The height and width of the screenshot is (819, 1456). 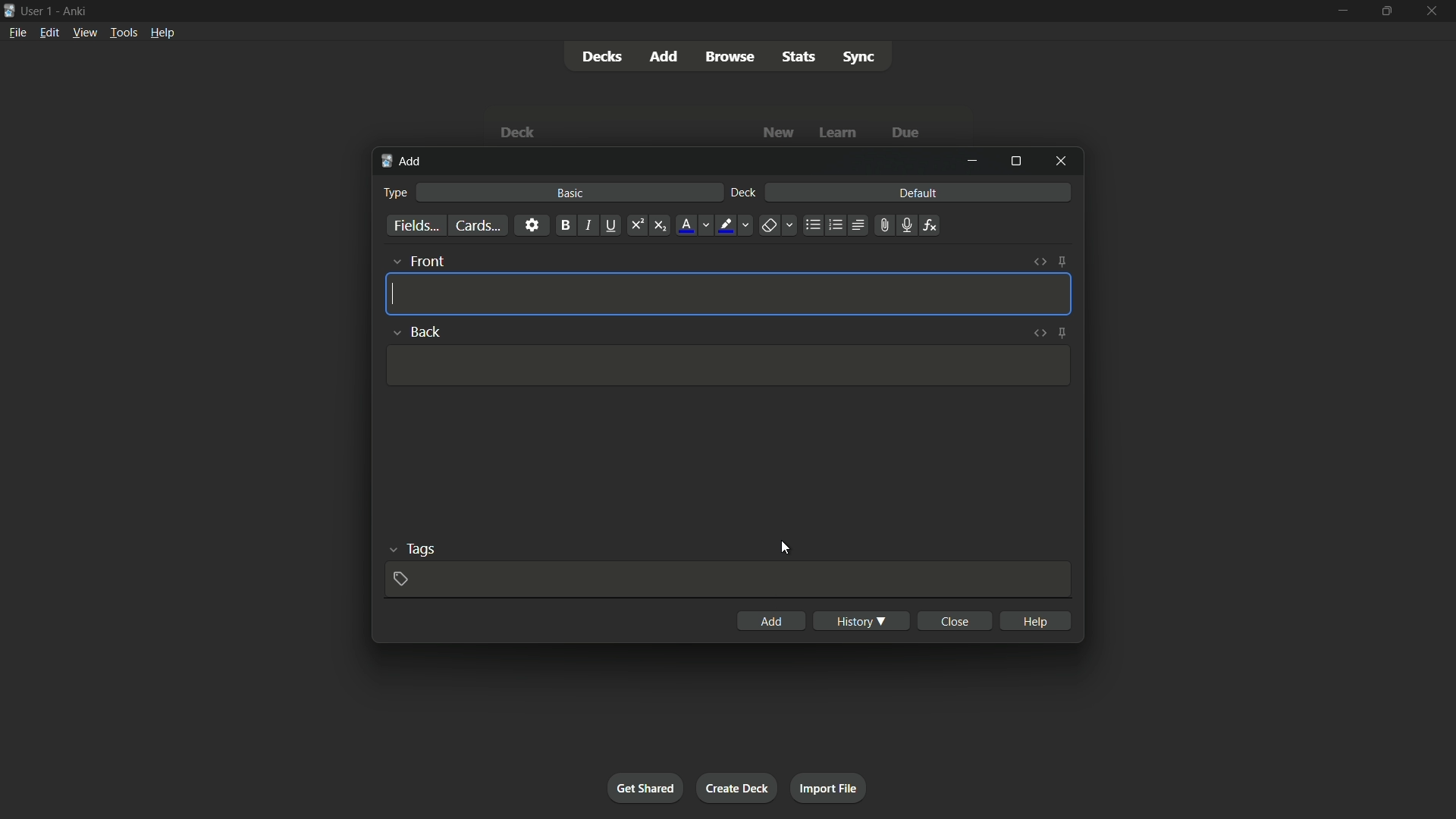 What do you see at coordinates (416, 224) in the screenshot?
I see `fields` at bounding box center [416, 224].